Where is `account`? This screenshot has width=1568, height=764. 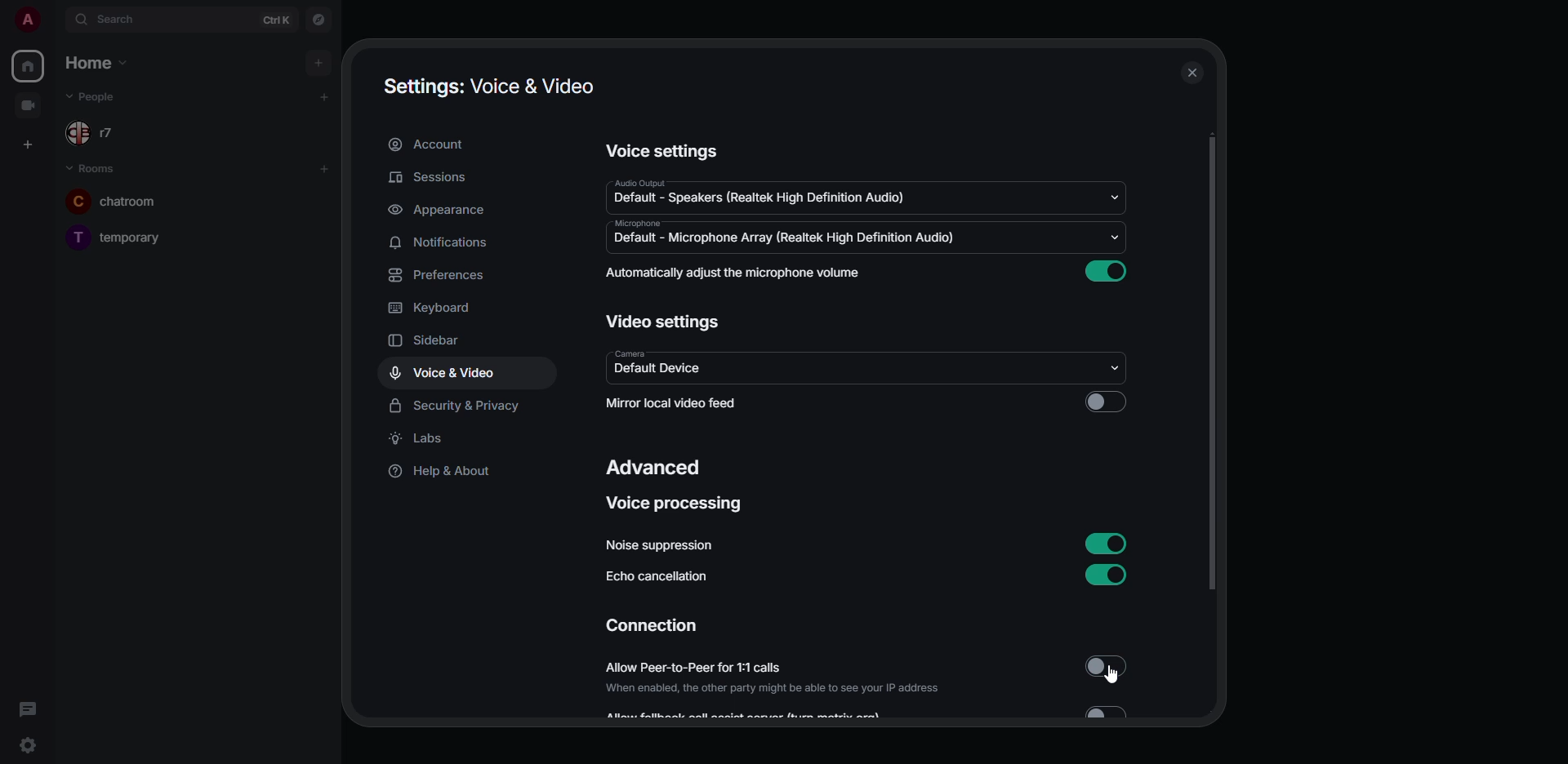
account is located at coordinates (427, 145).